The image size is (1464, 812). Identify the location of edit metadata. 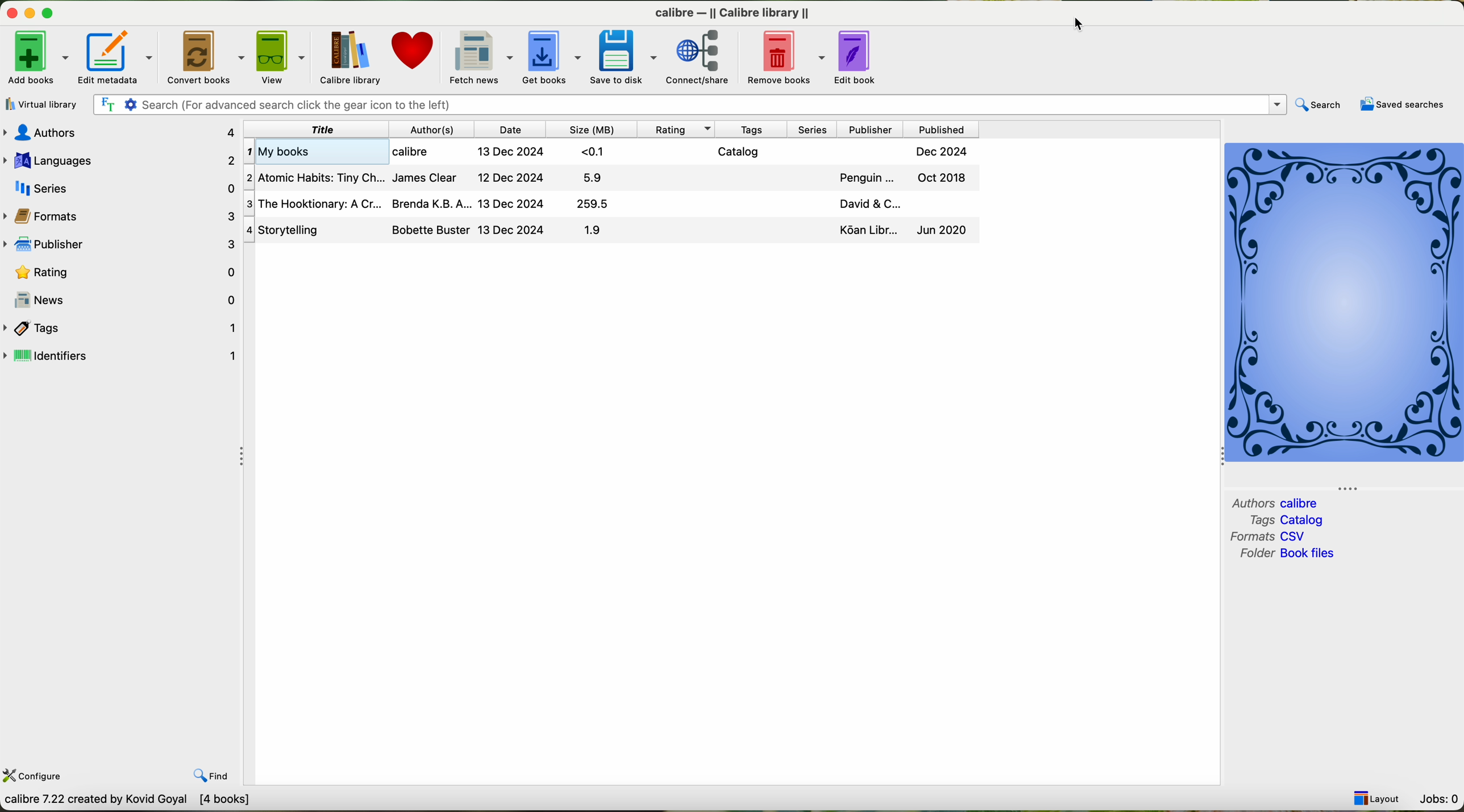
(116, 58).